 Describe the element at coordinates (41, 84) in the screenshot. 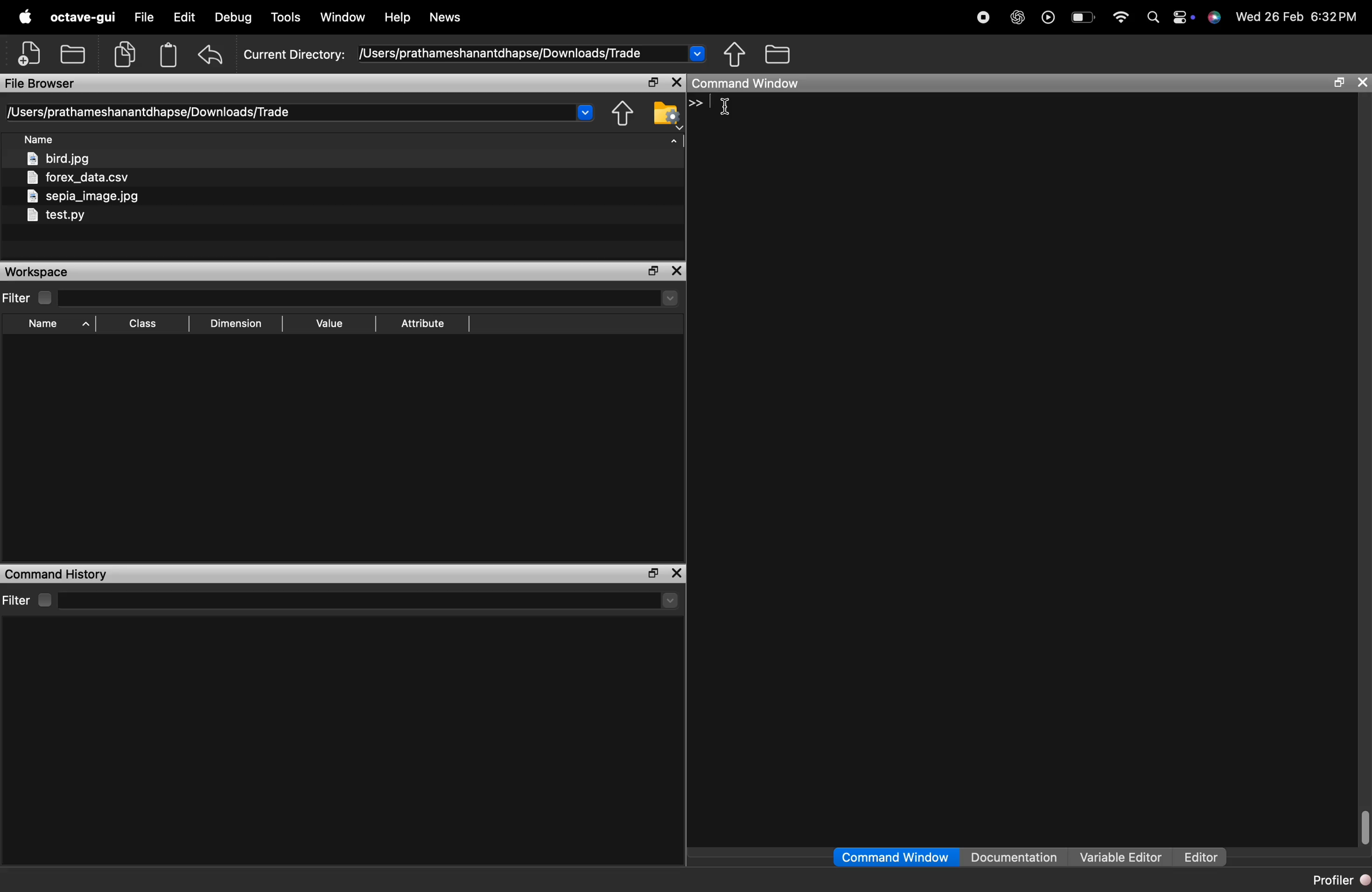

I see `file browser` at that location.